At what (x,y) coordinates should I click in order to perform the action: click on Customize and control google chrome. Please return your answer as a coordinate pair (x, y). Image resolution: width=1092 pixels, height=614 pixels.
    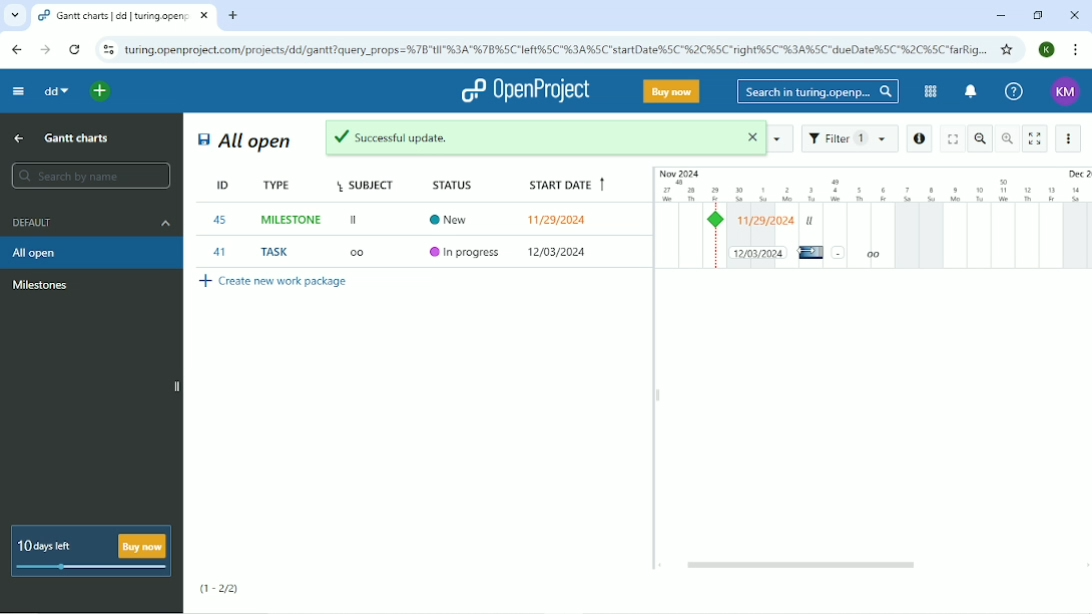
    Looking at the image, I should click on (1076, 51).